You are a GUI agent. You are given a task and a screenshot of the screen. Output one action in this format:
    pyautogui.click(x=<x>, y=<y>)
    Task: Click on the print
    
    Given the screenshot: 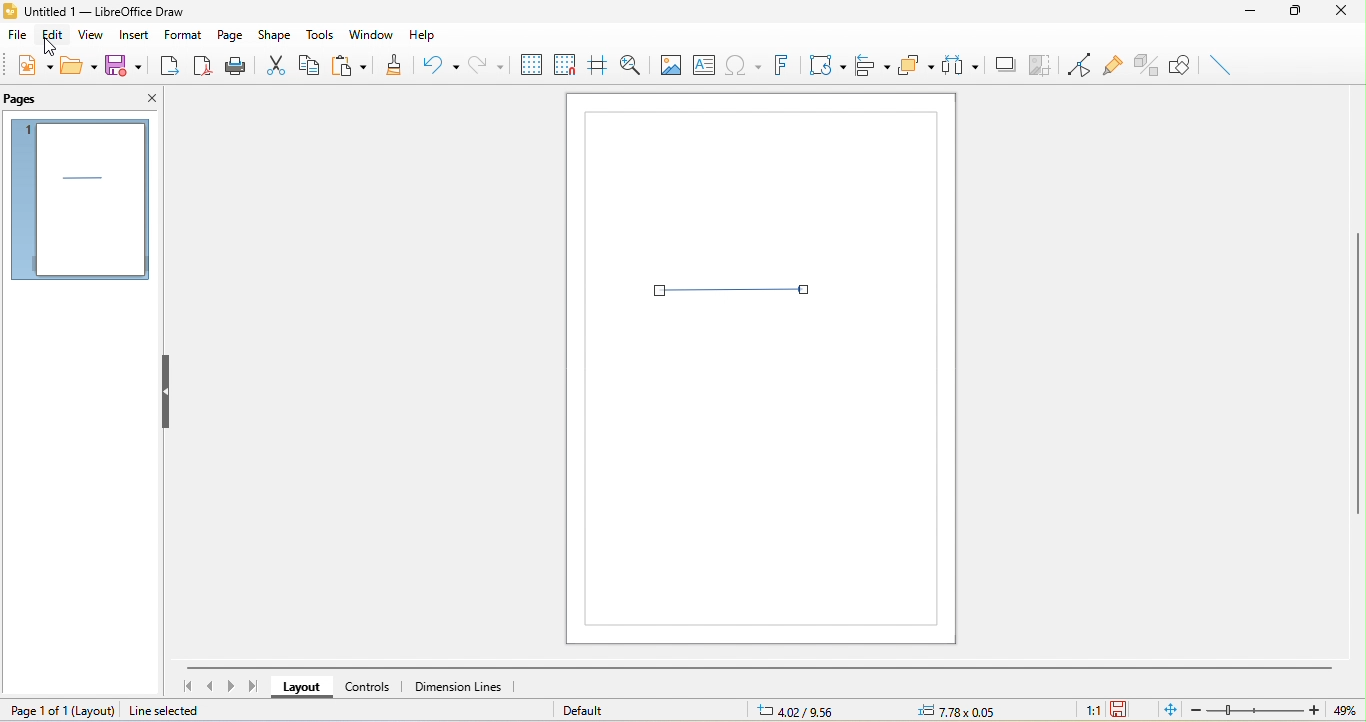 What is the action you would take?
    pyautogui.click(x=238, y=68)
    